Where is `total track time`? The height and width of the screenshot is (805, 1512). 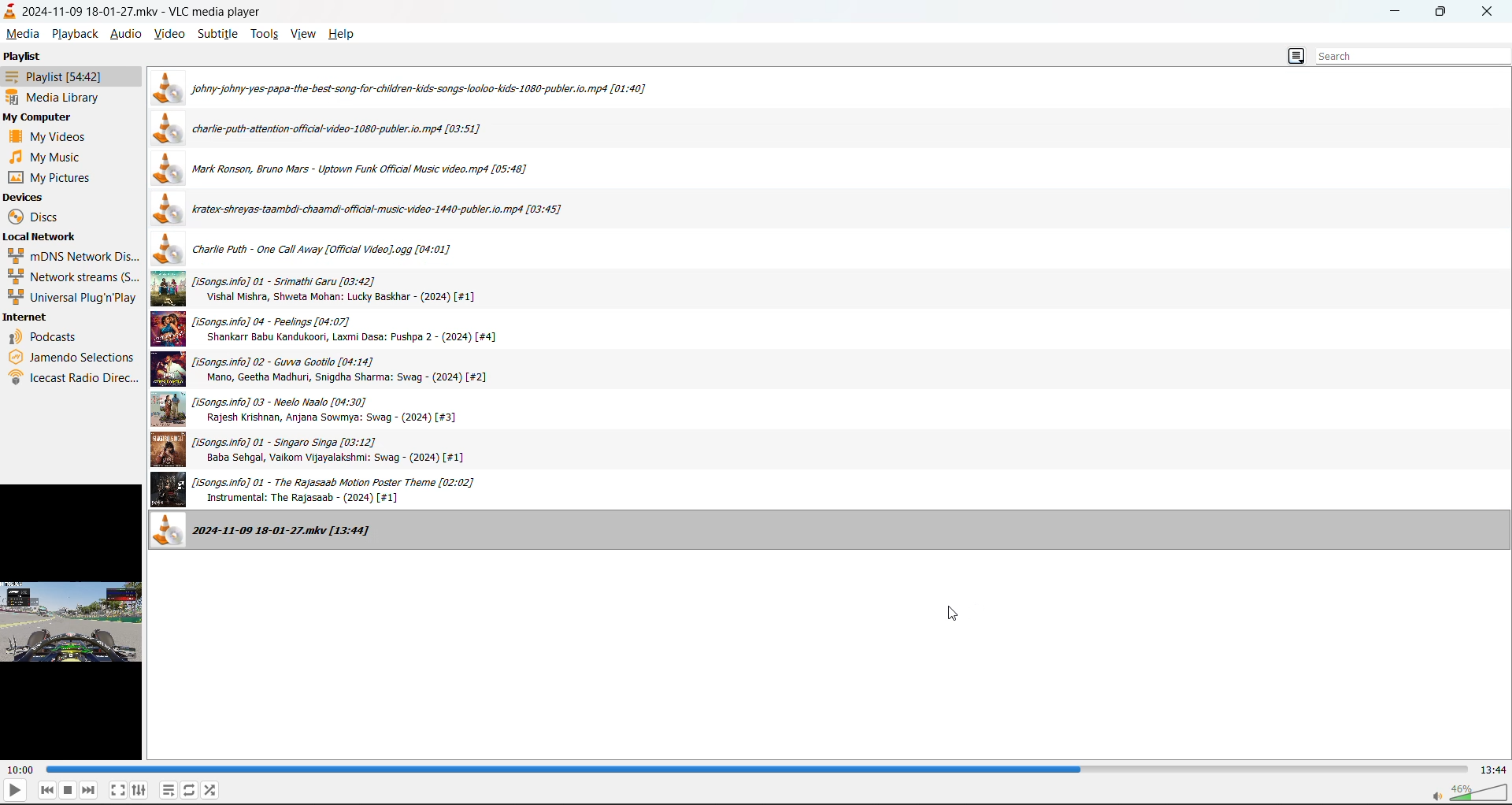
total track time is located at coordinates (1494, 770).